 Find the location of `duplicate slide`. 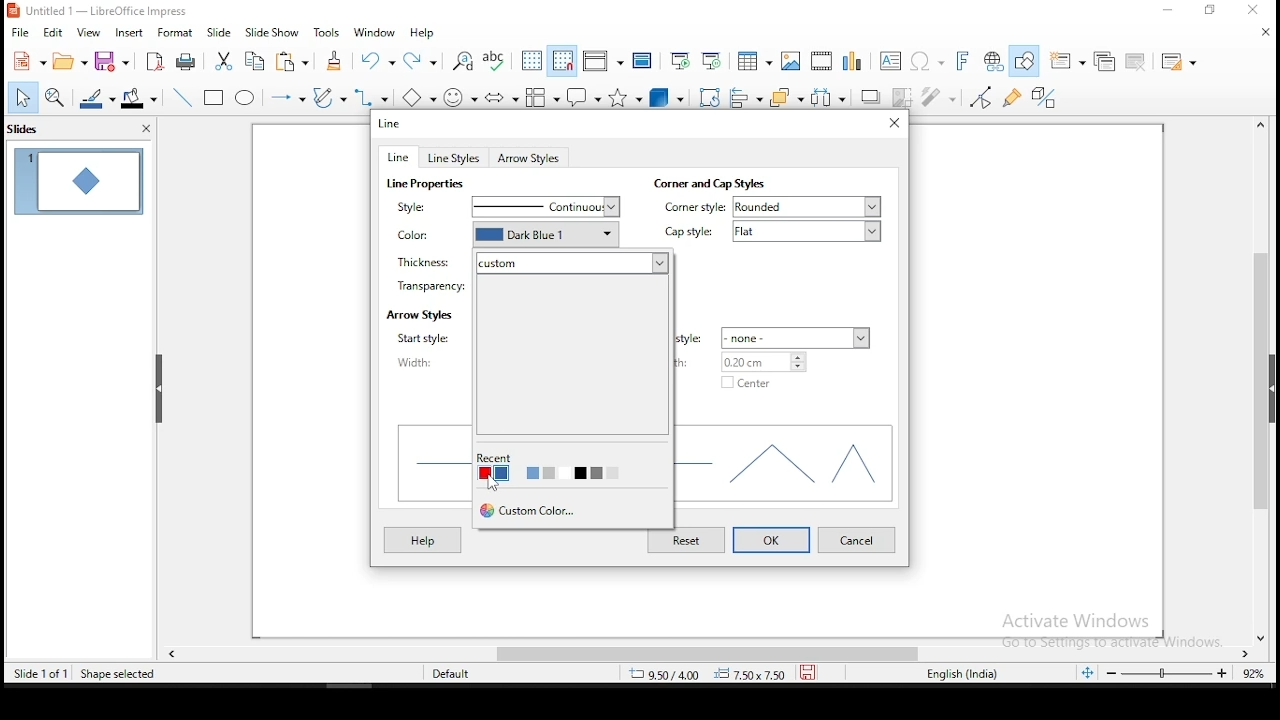

duplicate slide is located at coordinates (1100, 62).